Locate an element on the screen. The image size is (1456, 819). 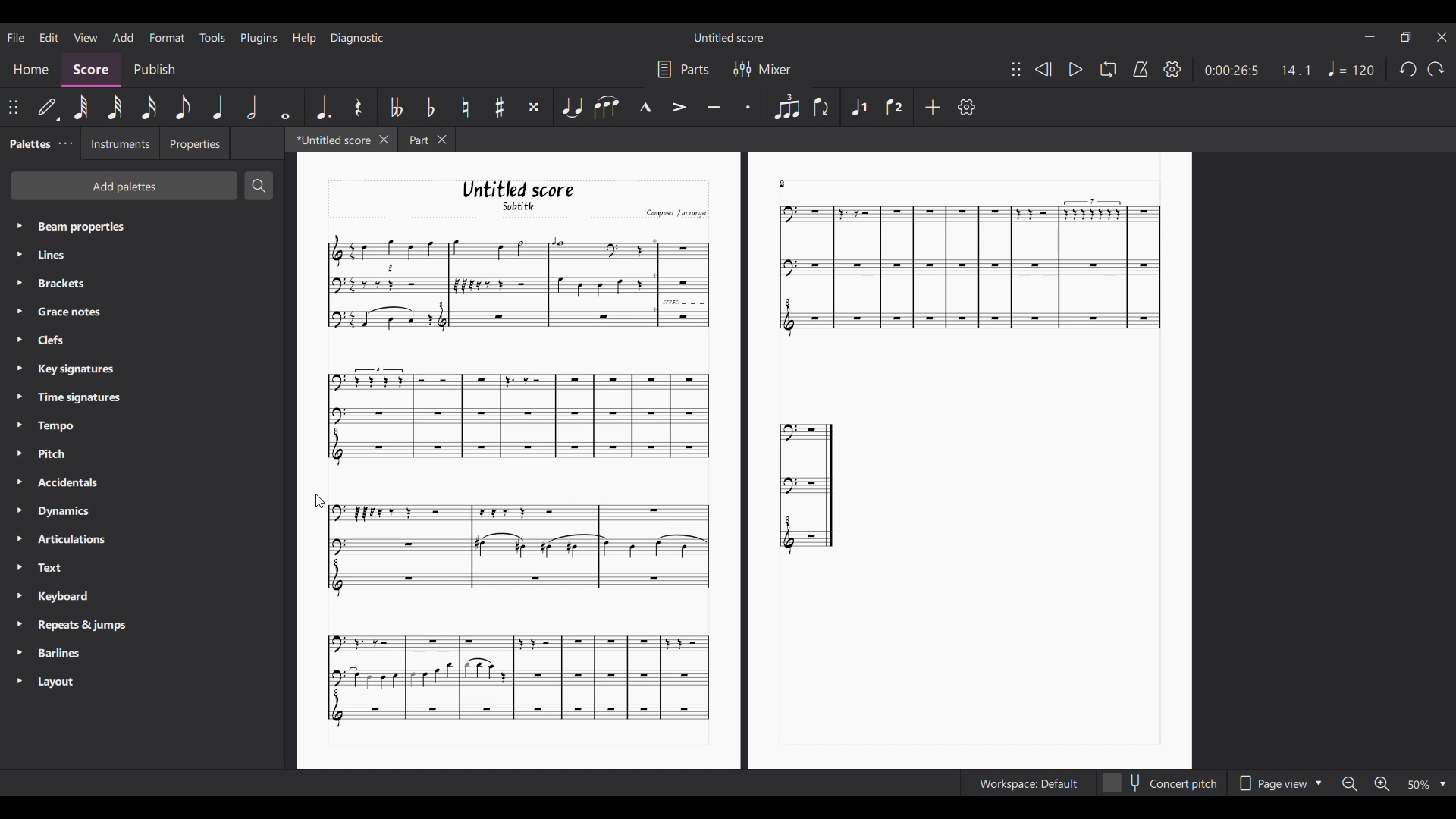
Show in smaller tab is located at coordinates (1405, 37).